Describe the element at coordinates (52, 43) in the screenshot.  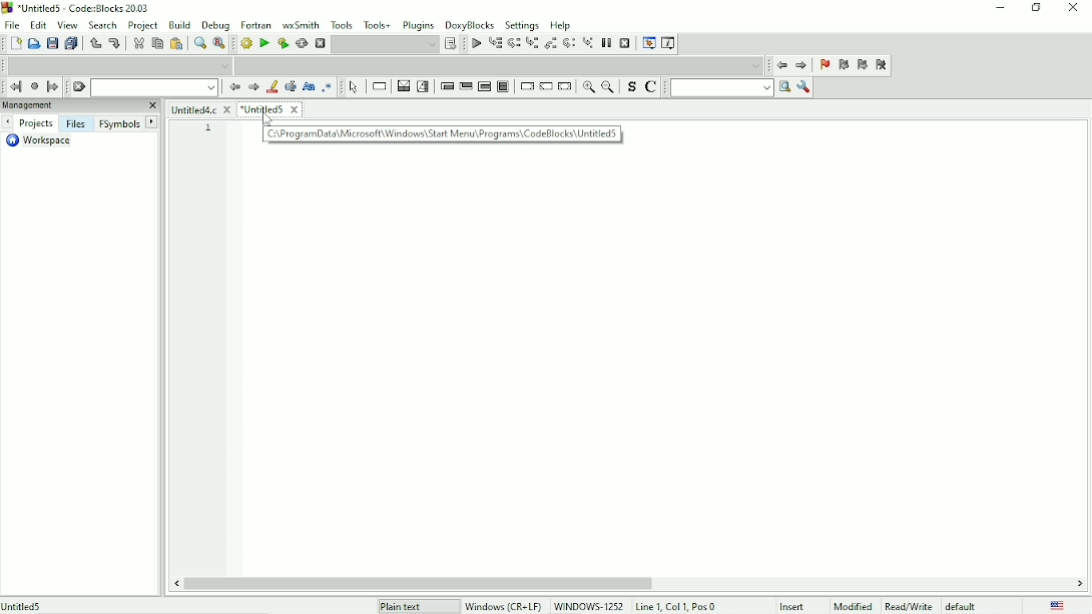
I see `Save` at that location.